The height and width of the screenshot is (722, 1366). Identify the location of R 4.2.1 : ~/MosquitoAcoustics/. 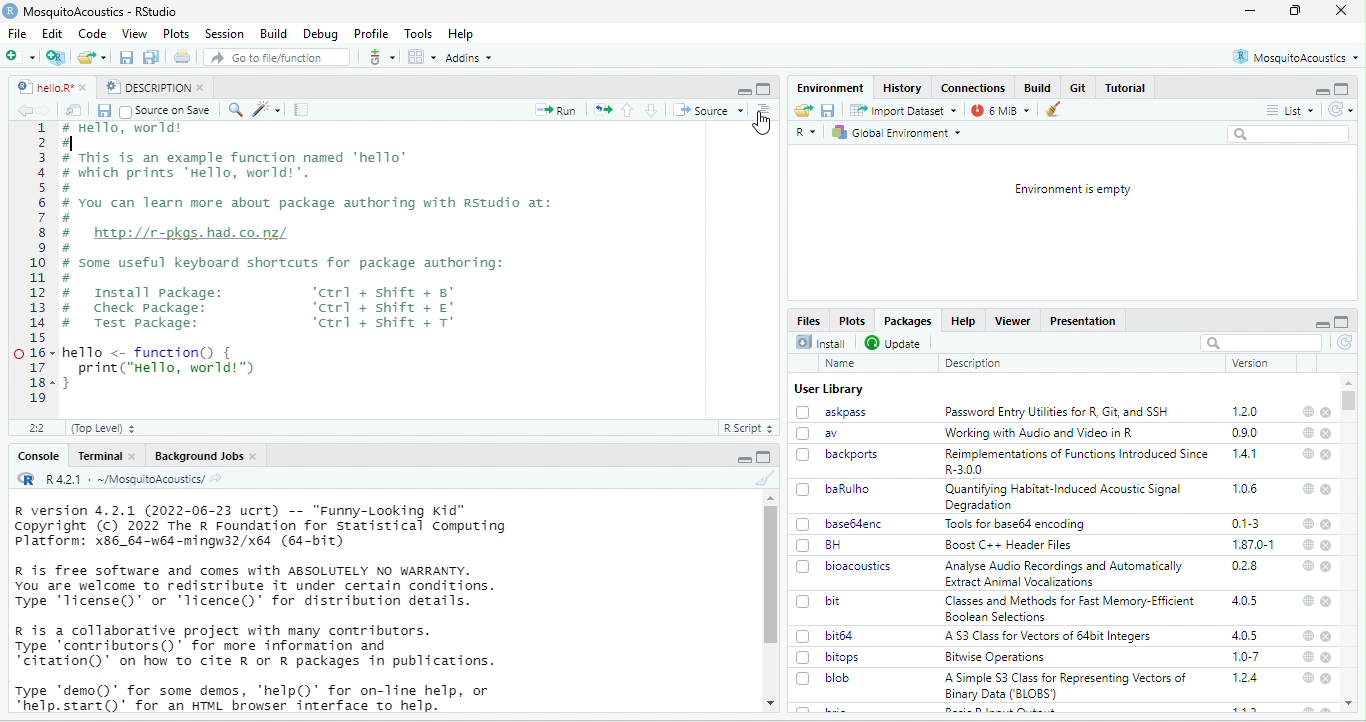
(120, 480).